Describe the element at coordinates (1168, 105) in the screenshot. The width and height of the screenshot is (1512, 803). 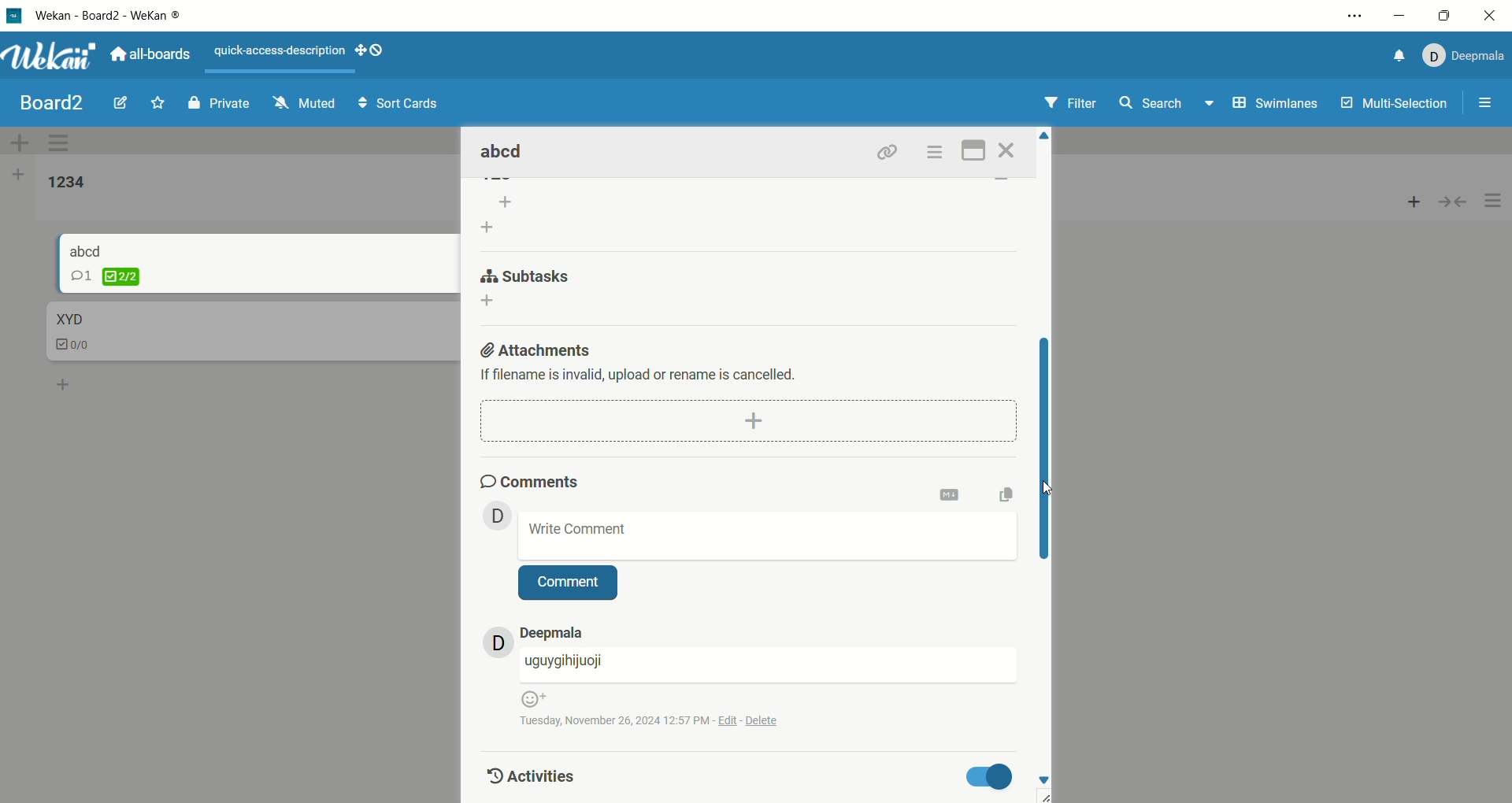
I see `search` at that location.